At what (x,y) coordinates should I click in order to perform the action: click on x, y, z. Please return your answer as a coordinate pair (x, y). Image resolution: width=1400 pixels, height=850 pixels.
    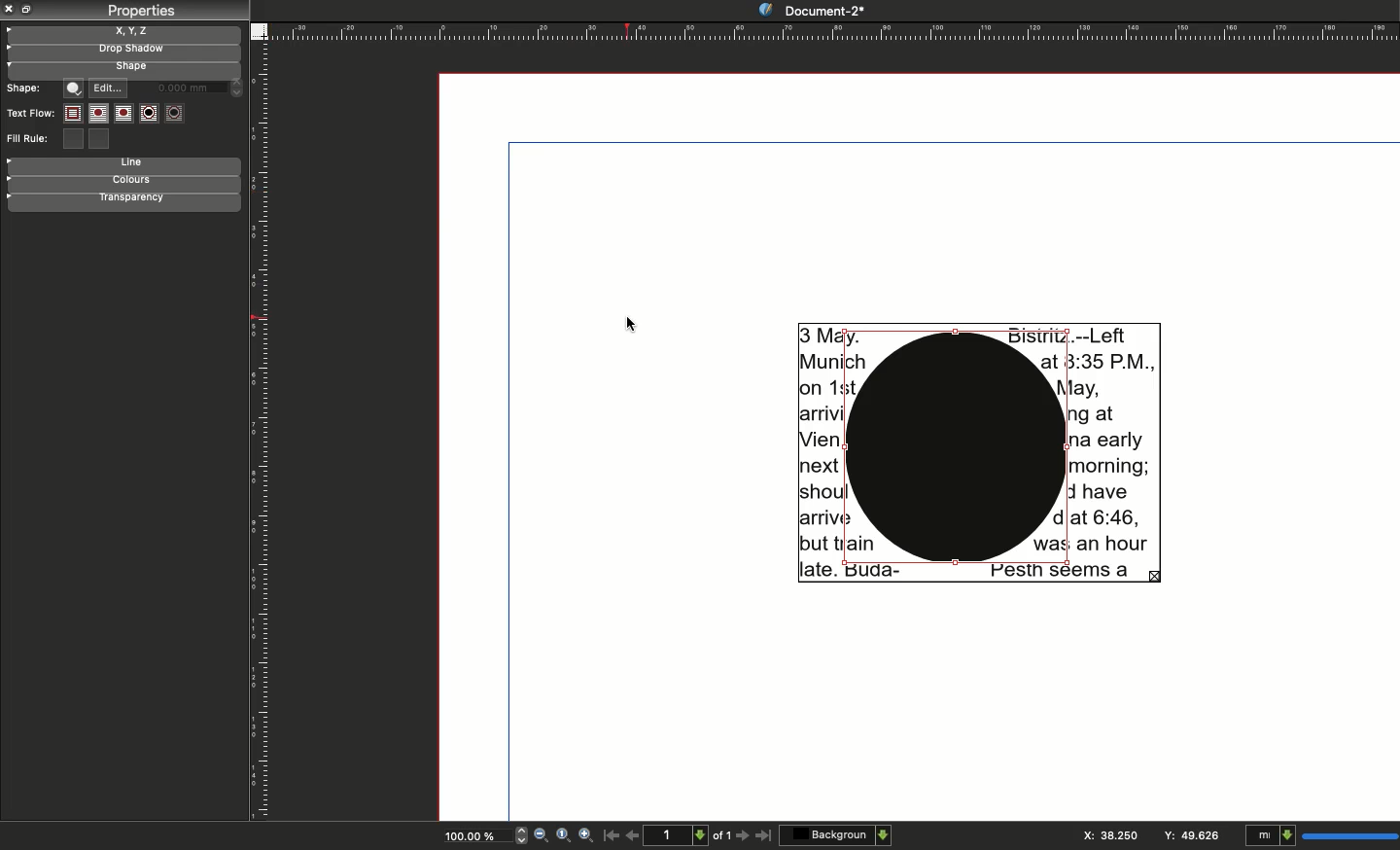
    Looking at the image, I should click on (141, 31).